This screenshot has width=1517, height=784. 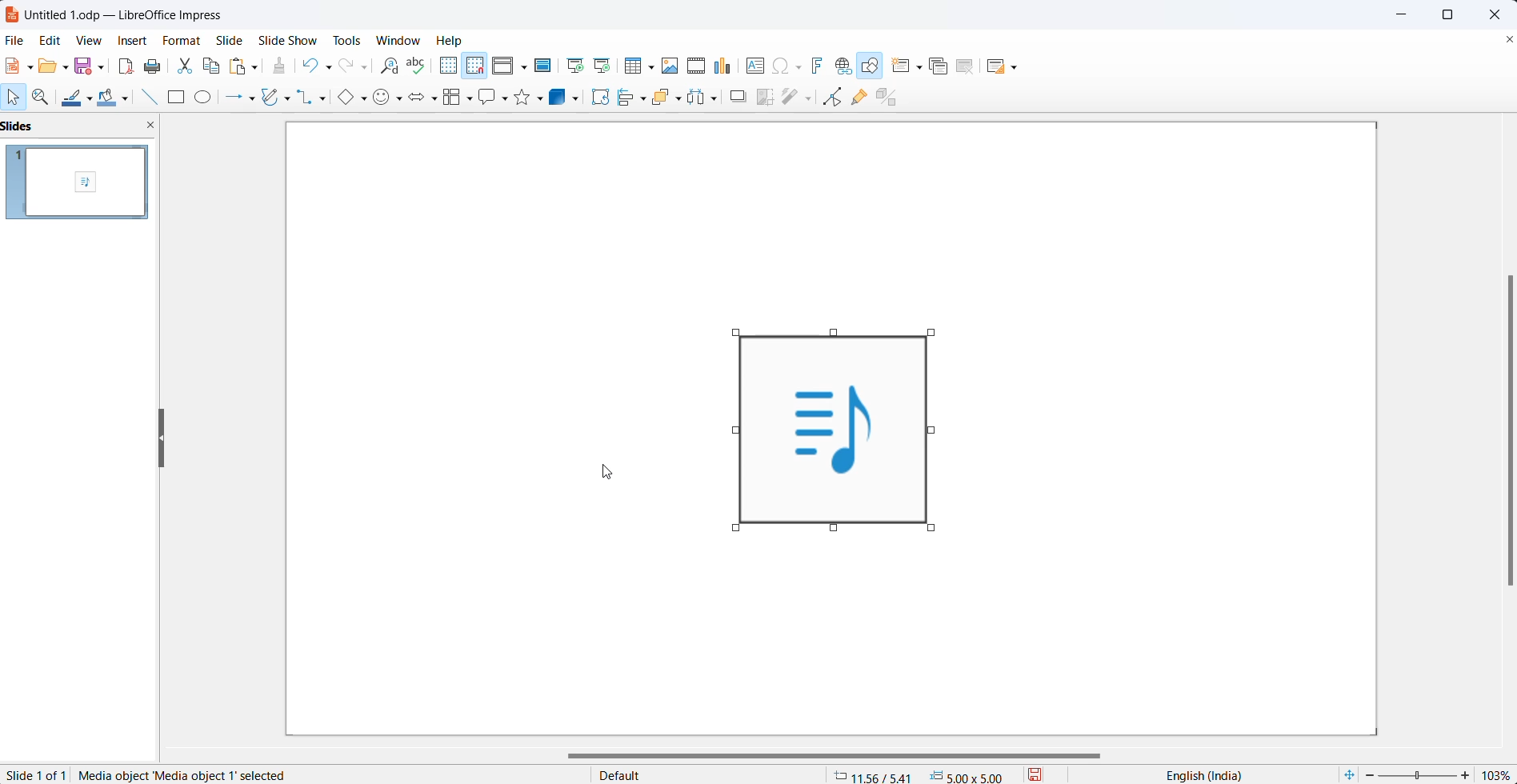 I want to click on reszie, so click(x=162, y=434).